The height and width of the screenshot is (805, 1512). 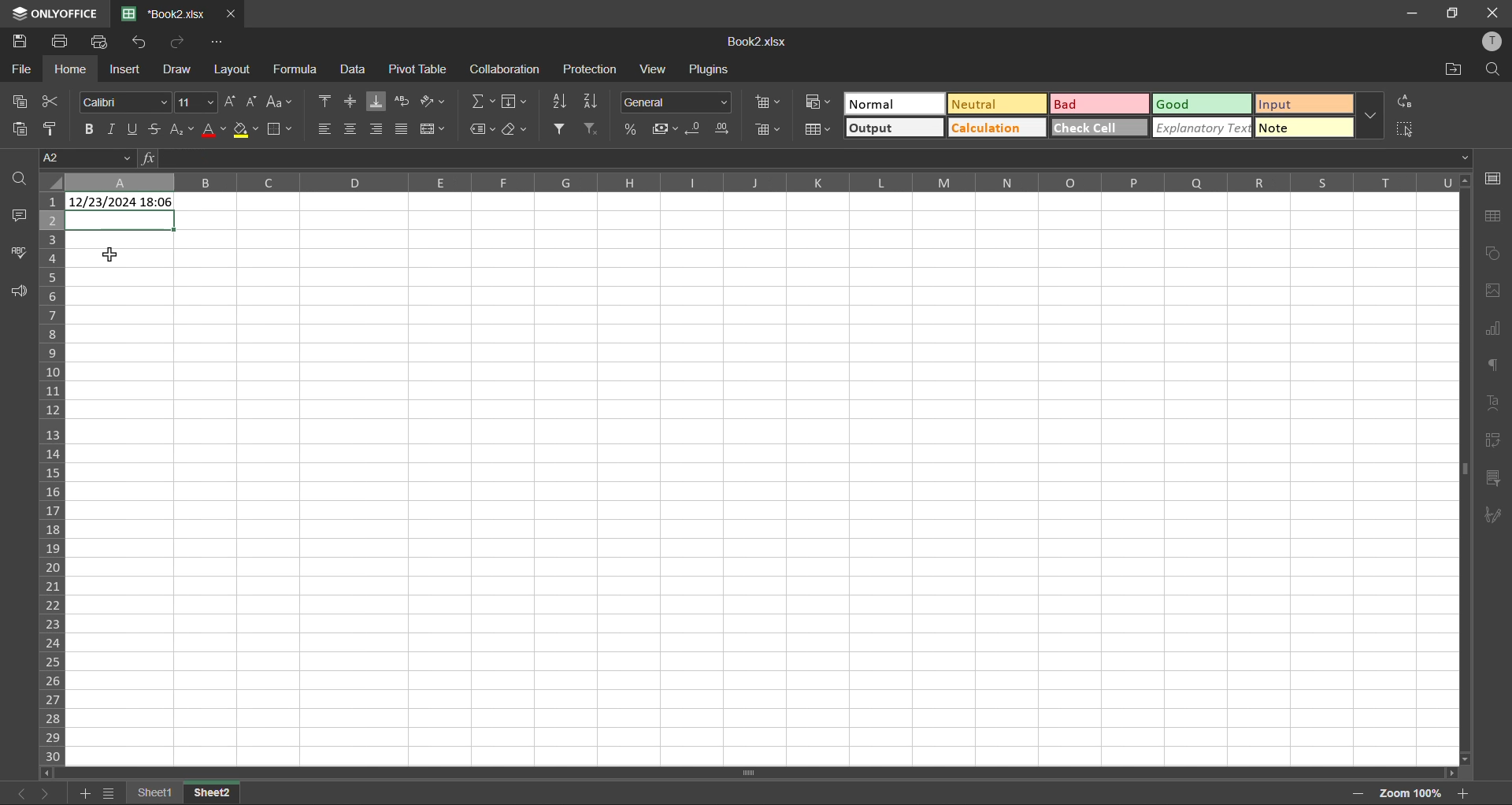 What do you see at coordinates (350, 127) in the screenshot?
I see `align center` at bounding box center [350, 127].